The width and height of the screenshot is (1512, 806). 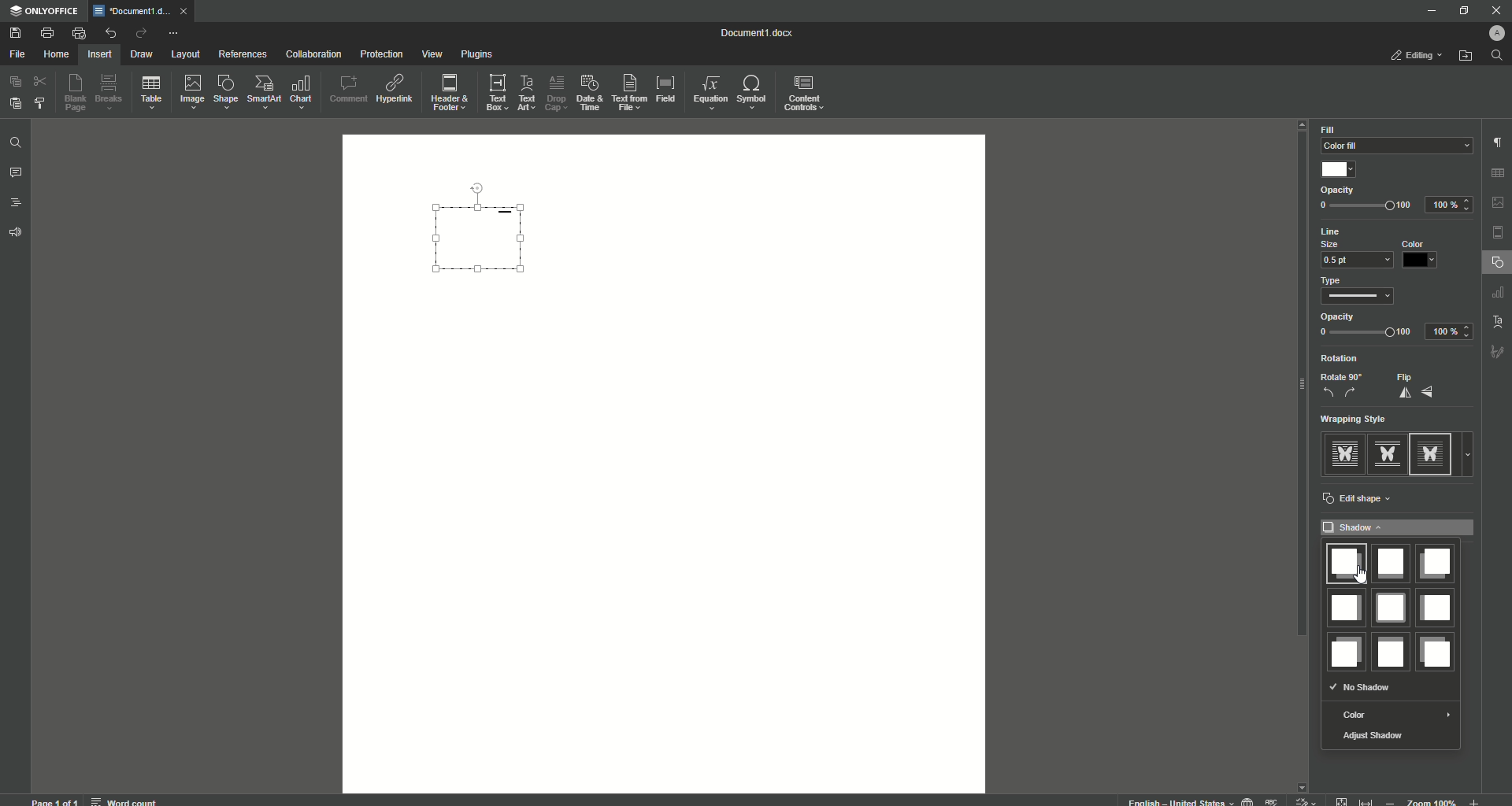 What do you see at coordinates (55, 800) in the screenshot?
I see `page 1 of 1` at bounding box center [55, 800].